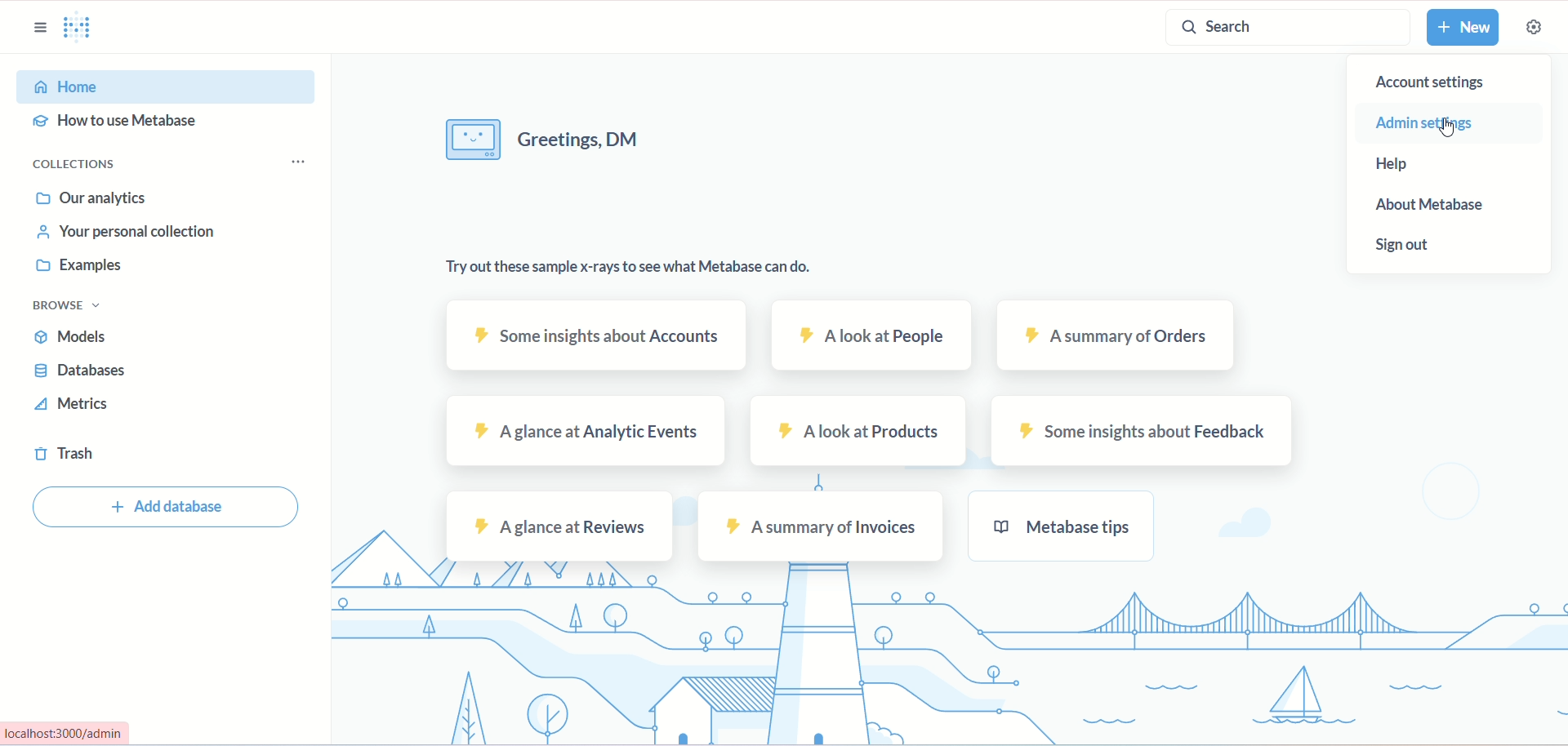 This screenshot has height=746, width=1568. Describe the element at coordinates (585, 433) in the screenshot. I see `analytic events` at that location.